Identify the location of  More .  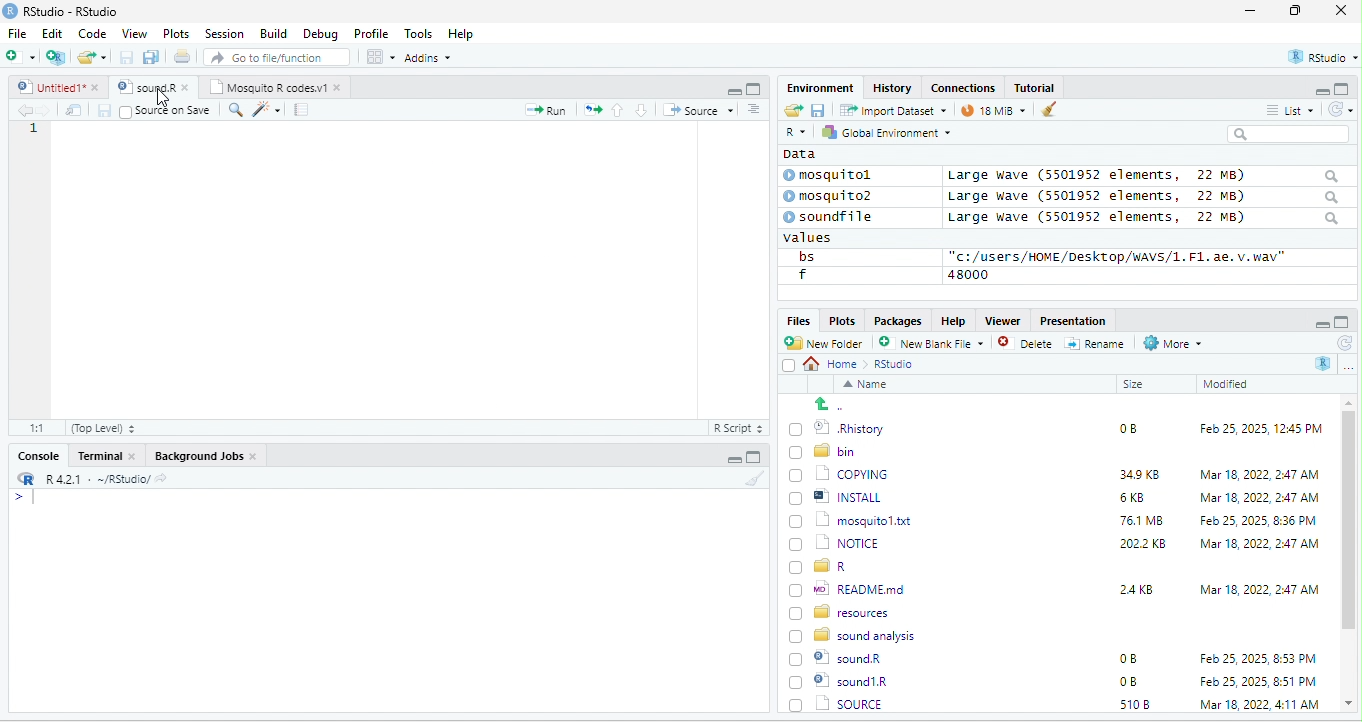
(1171, 344).